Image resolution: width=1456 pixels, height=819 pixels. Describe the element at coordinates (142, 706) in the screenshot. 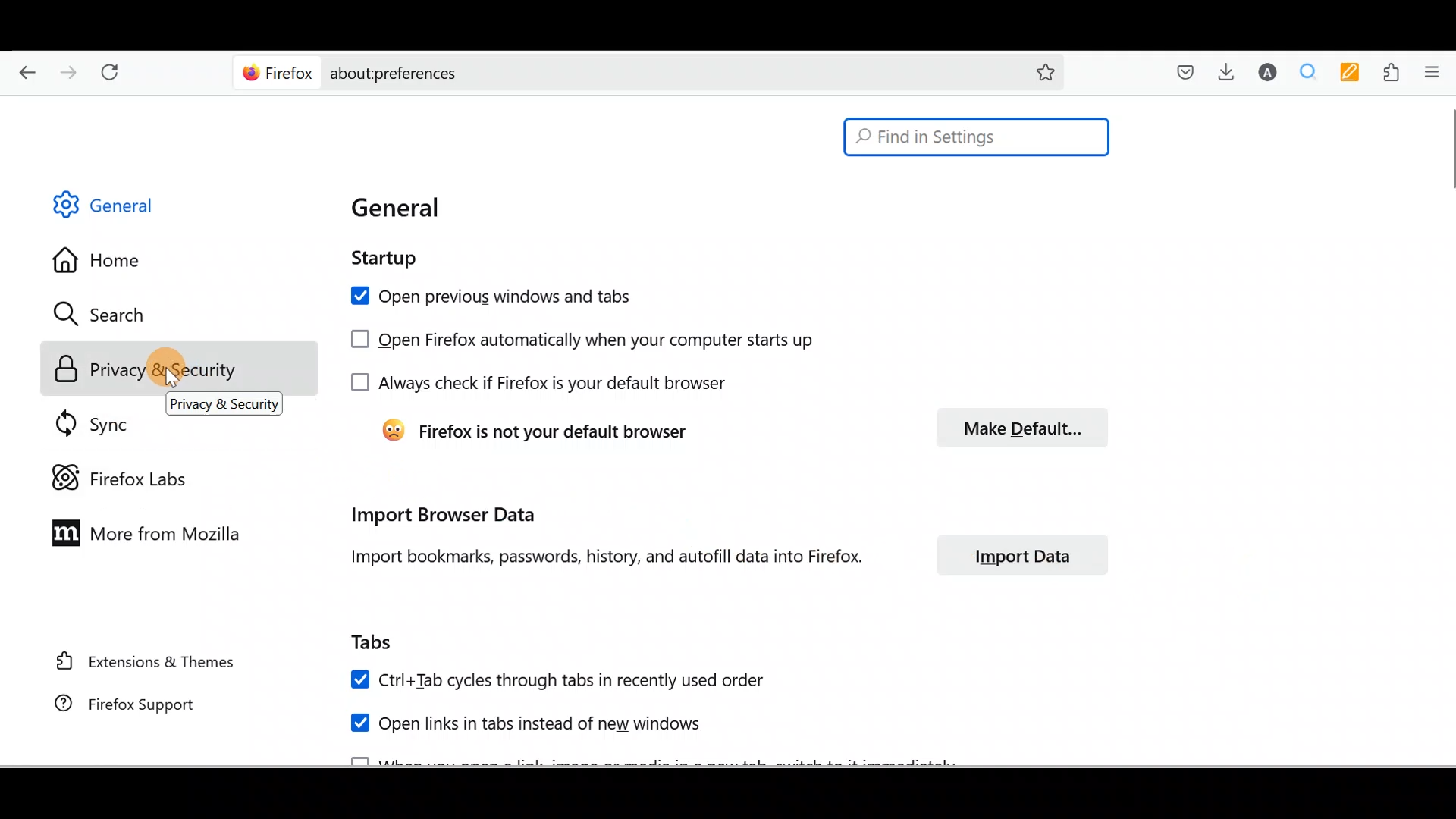

I see `Firefox support` at that location.